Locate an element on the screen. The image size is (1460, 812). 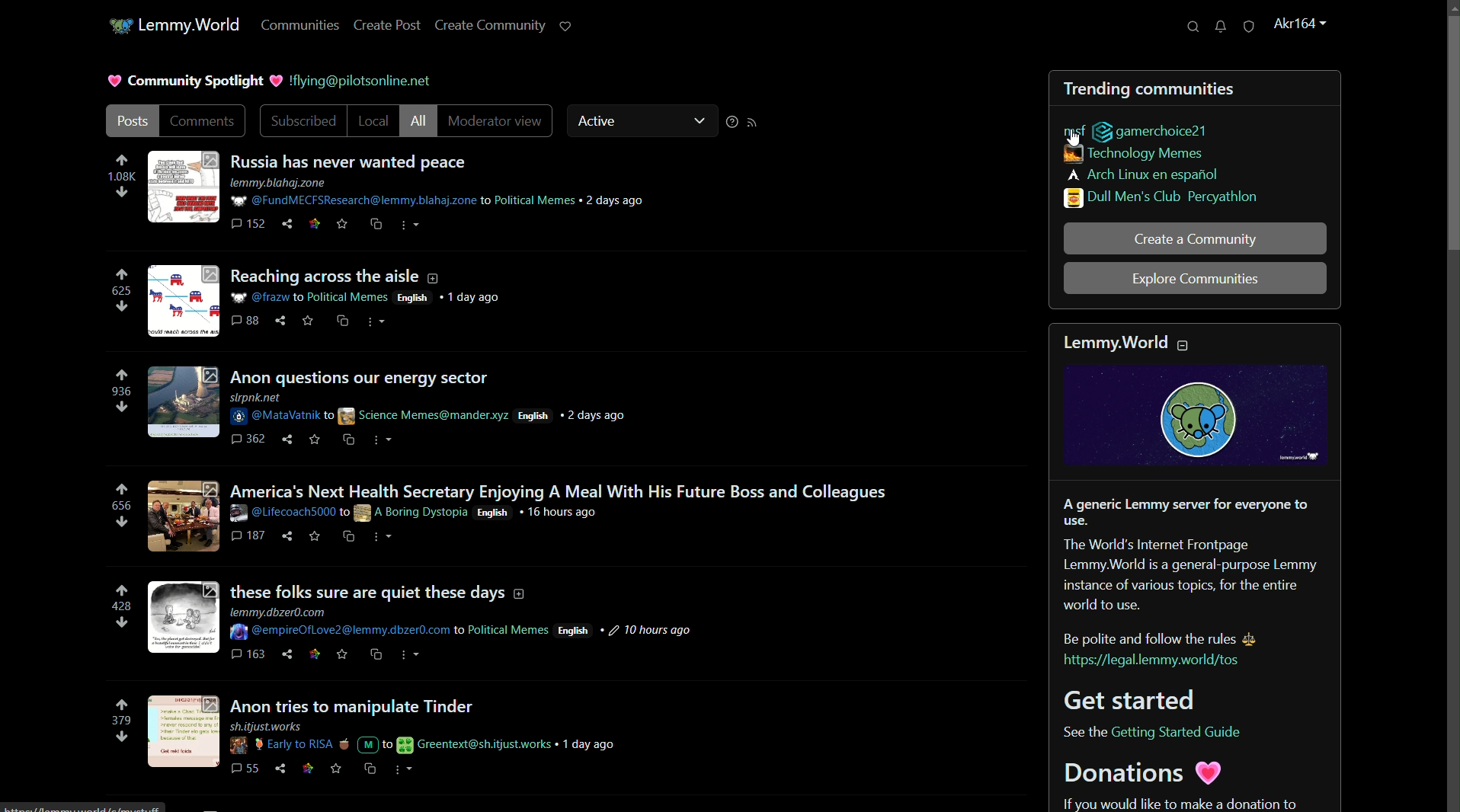
share is located at coordinates (281, 319).